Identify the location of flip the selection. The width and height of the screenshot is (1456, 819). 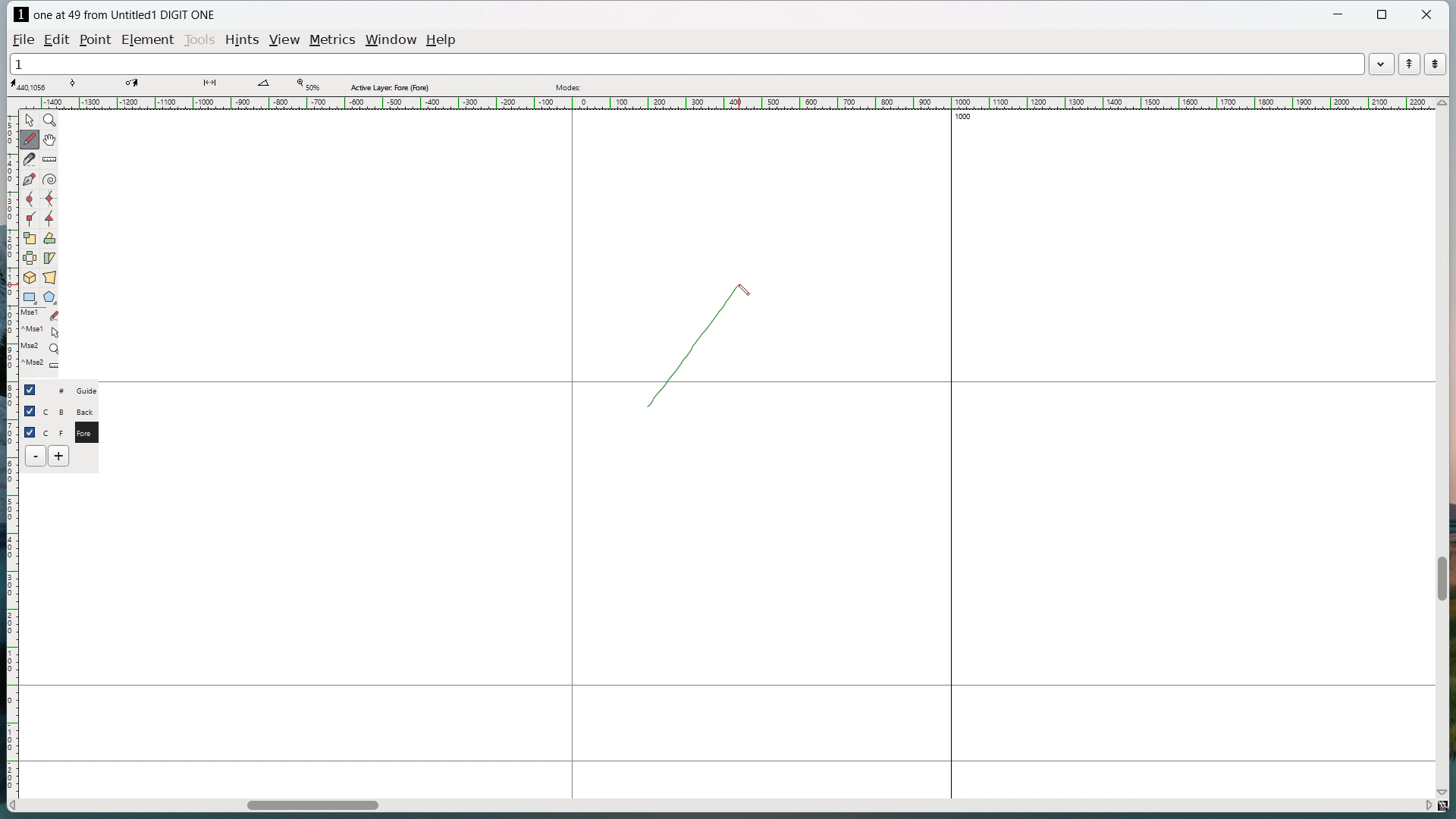
(30, 258).